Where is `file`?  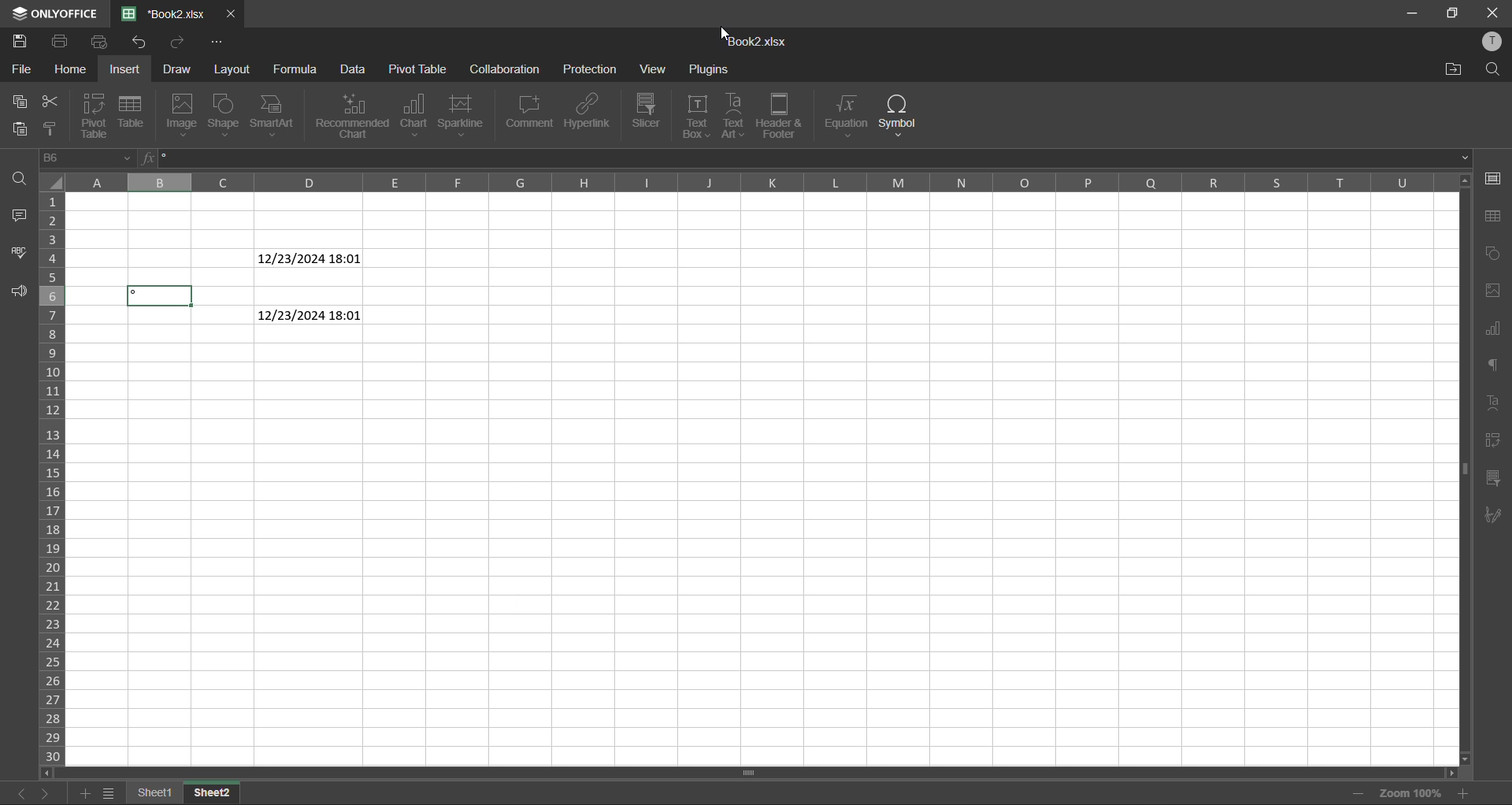
file is located at coordinates (19, 69).